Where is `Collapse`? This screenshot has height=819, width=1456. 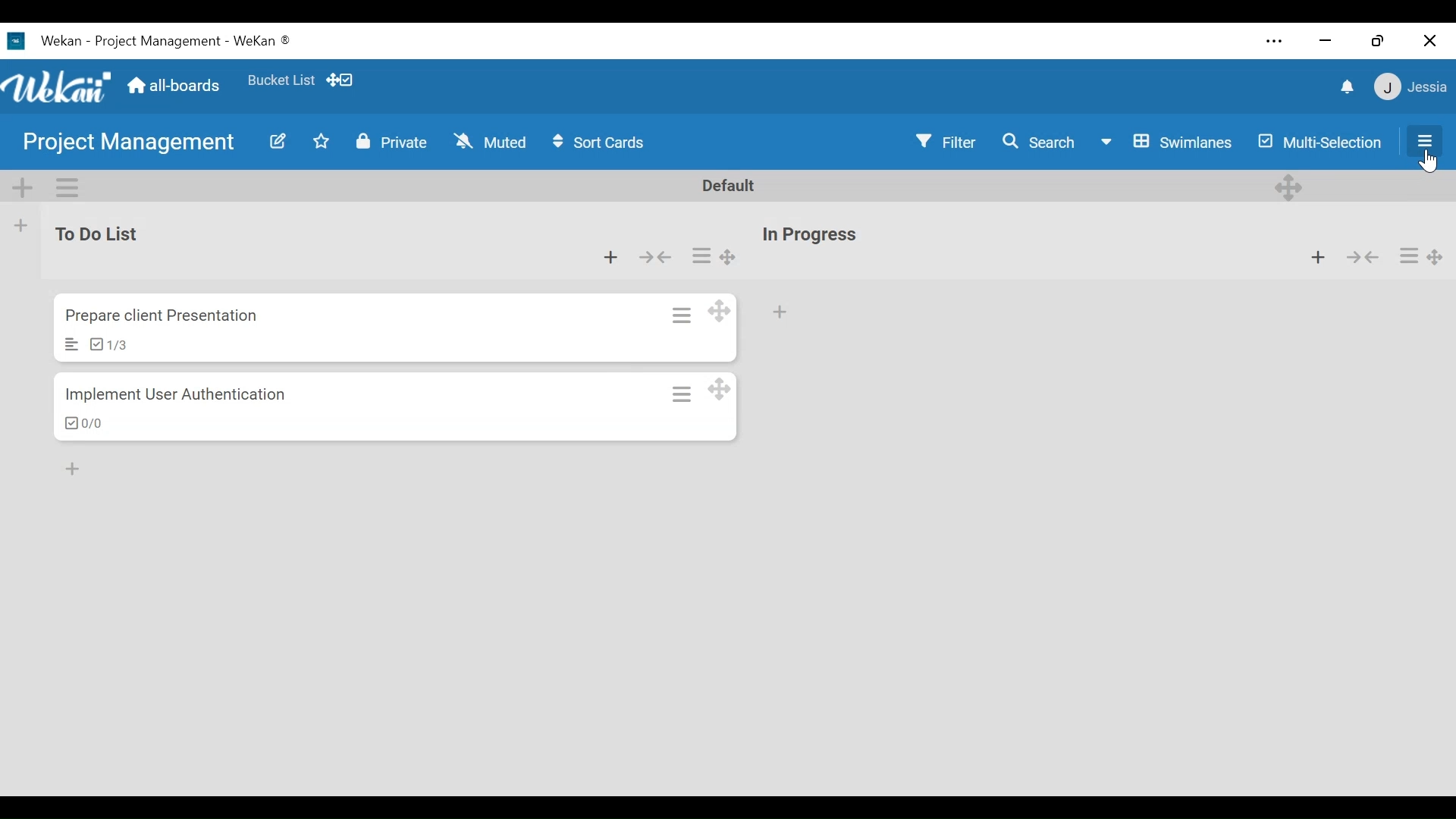
Collapse is located at coordinates (1362, 257).